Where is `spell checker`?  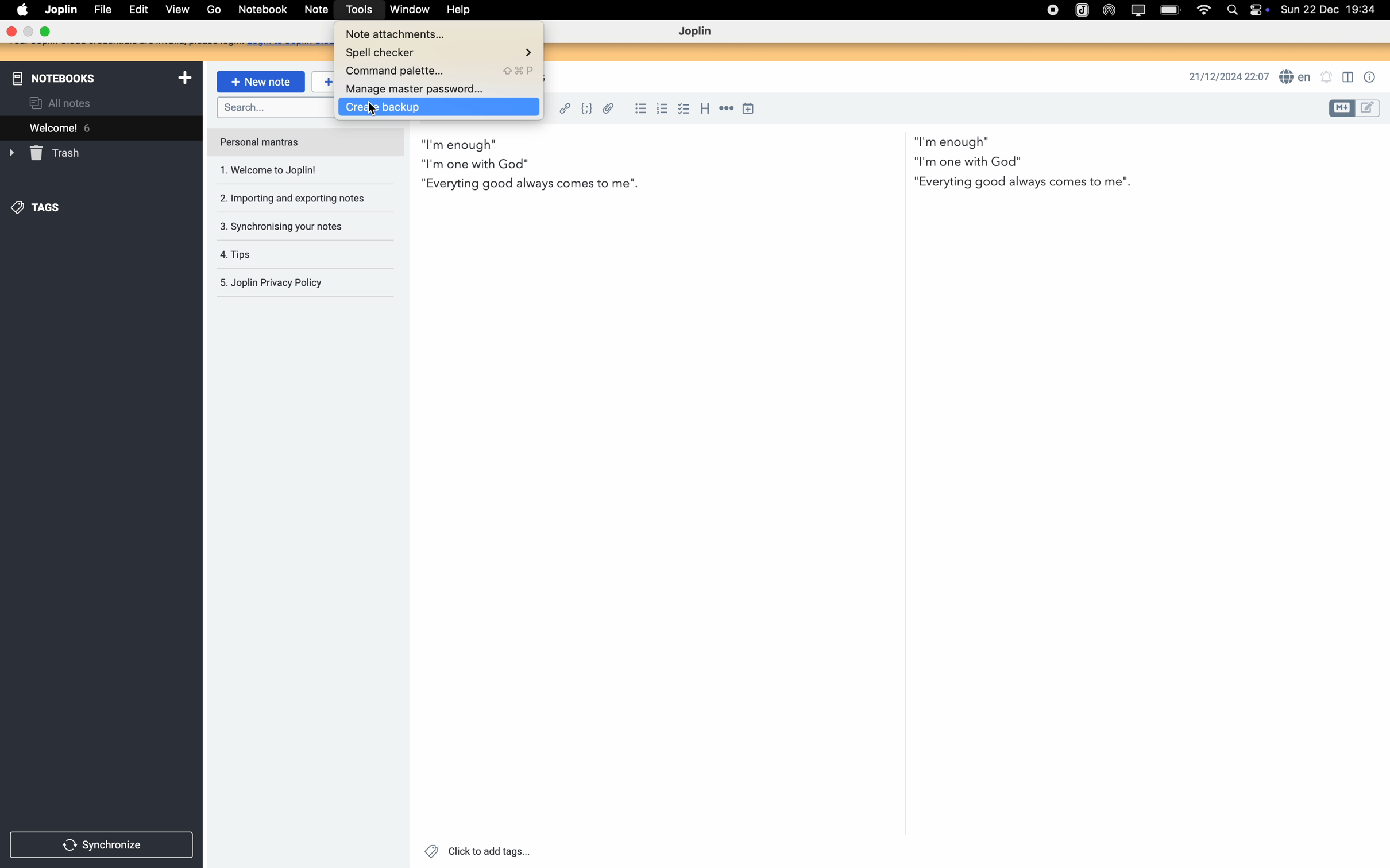 spell checker is located at coordinates (1297, 77).